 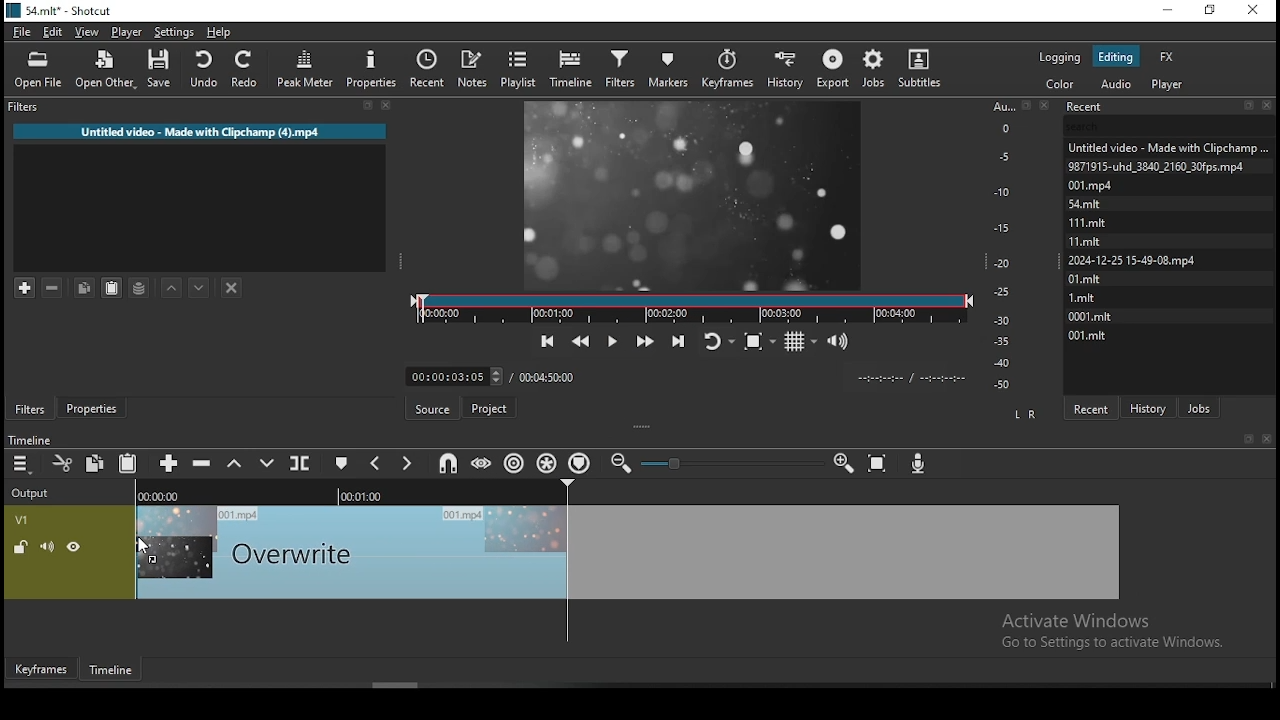 I want to click on timeline, so click(x=27, y=439).